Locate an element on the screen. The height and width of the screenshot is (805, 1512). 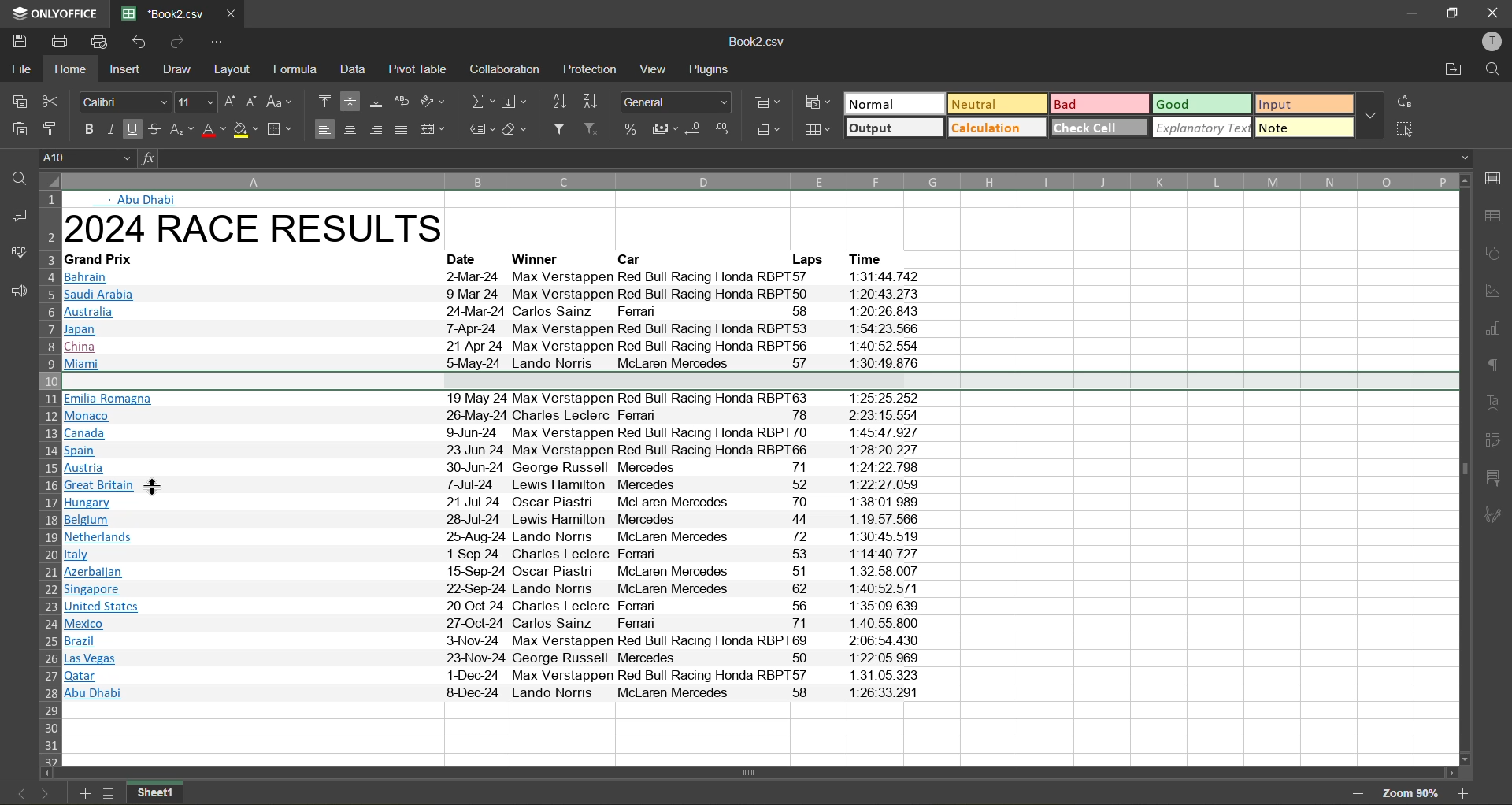
output is located at coordinates (893, 128).